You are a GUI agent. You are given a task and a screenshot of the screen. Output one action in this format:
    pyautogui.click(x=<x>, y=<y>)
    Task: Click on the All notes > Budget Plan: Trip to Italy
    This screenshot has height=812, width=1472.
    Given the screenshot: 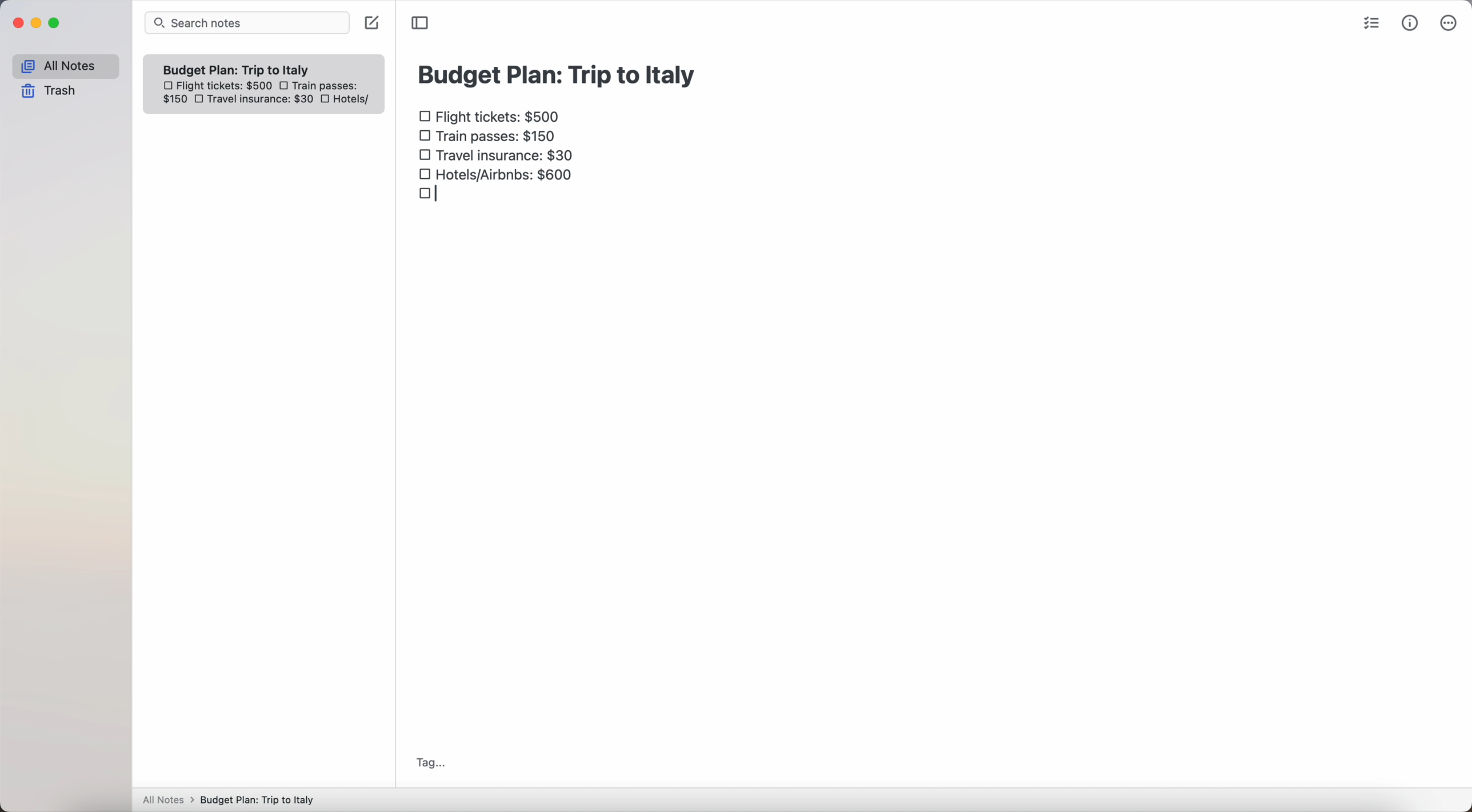 What is the action you would take?
    pyautogui.click(x=234, y=799)
    